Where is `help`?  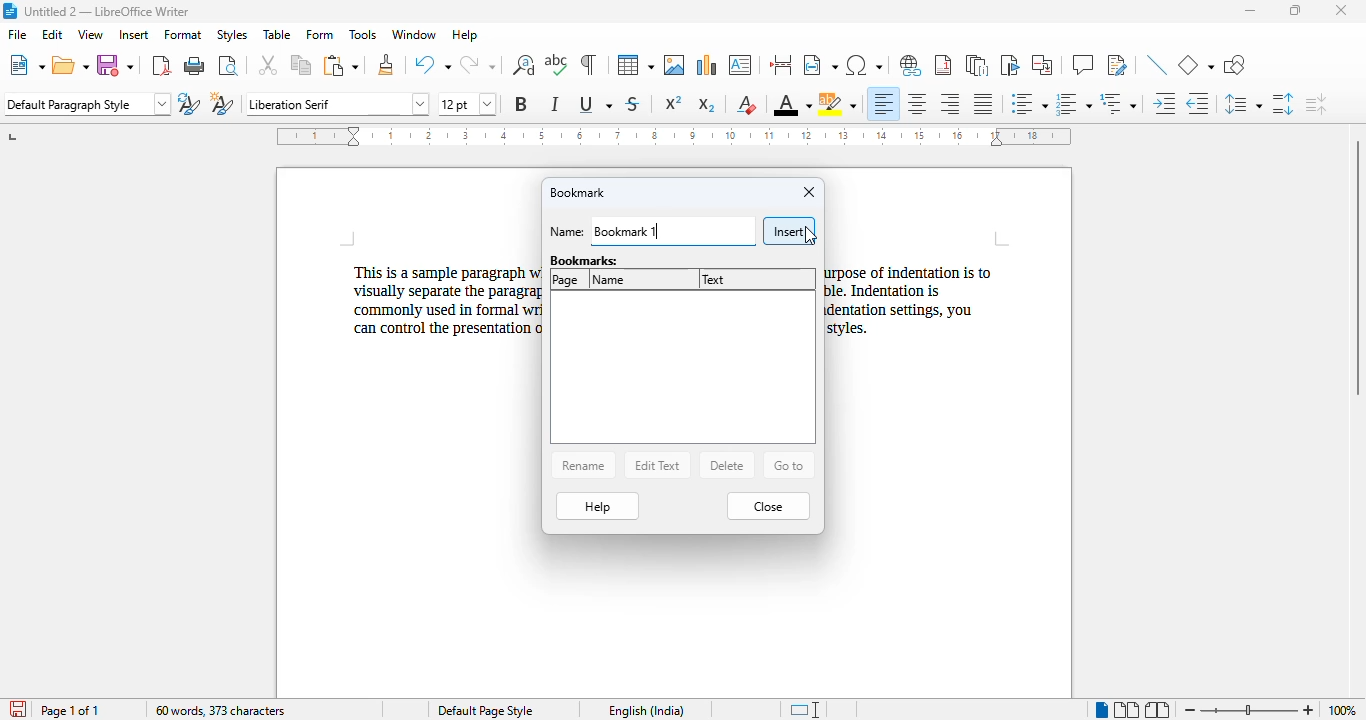
help is located at coordinates (597, 505).